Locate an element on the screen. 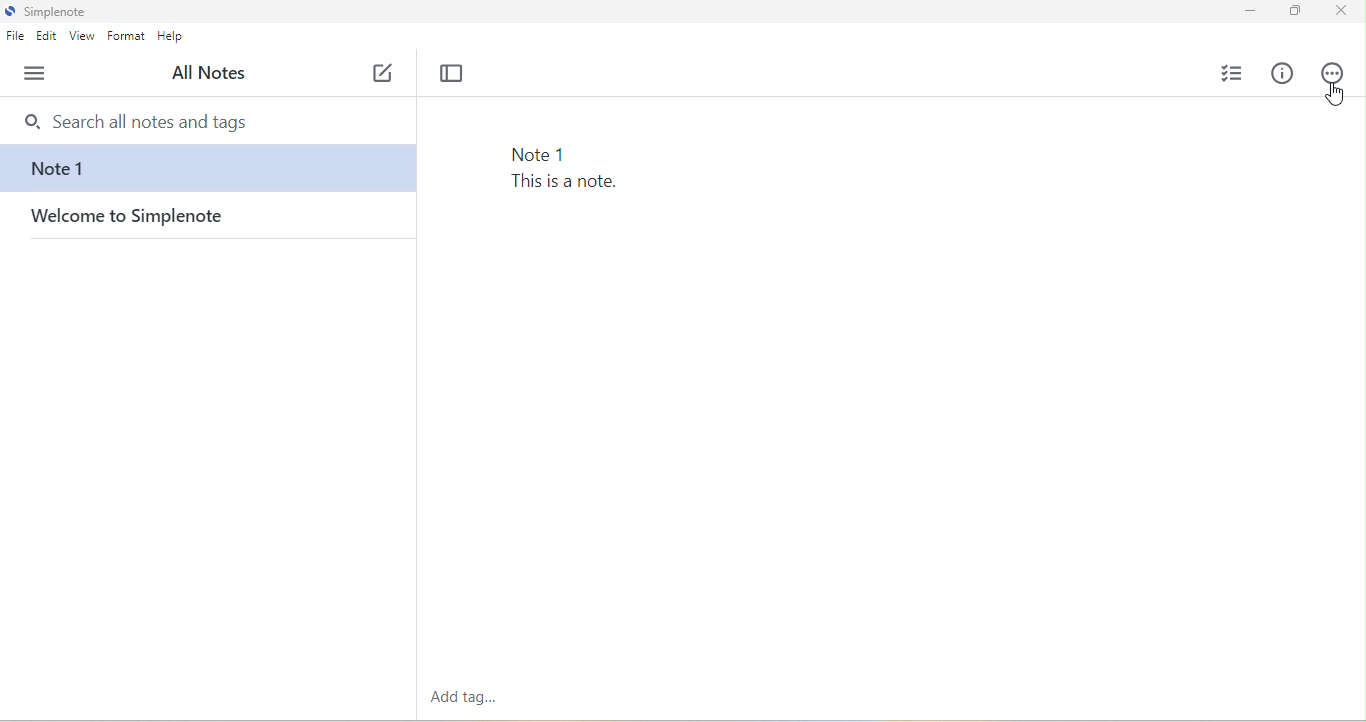 This screenshot has height=722, width=1366. new note is located at coordinates (385, 73).